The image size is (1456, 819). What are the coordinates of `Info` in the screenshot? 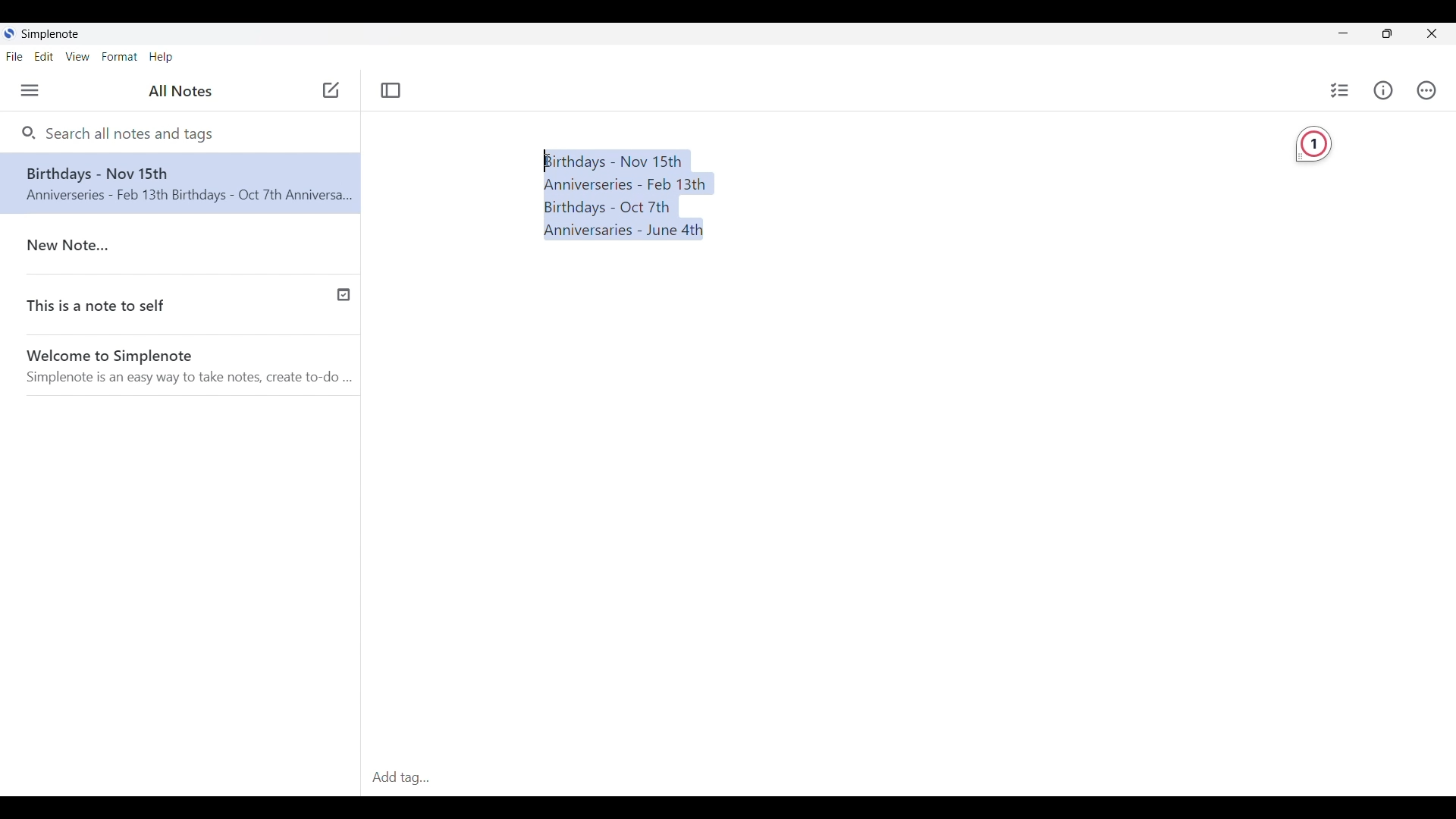 It's located at (1383, 89).